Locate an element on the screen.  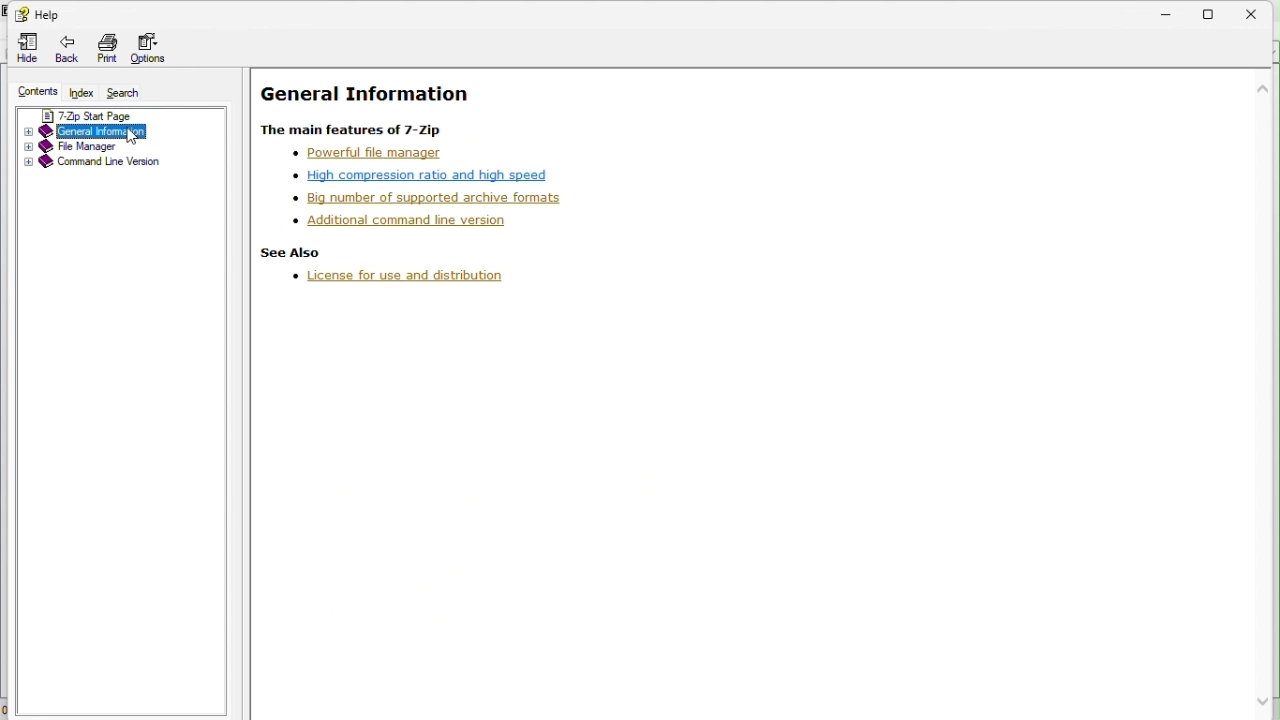
General information is located at coordinates (99, 132).